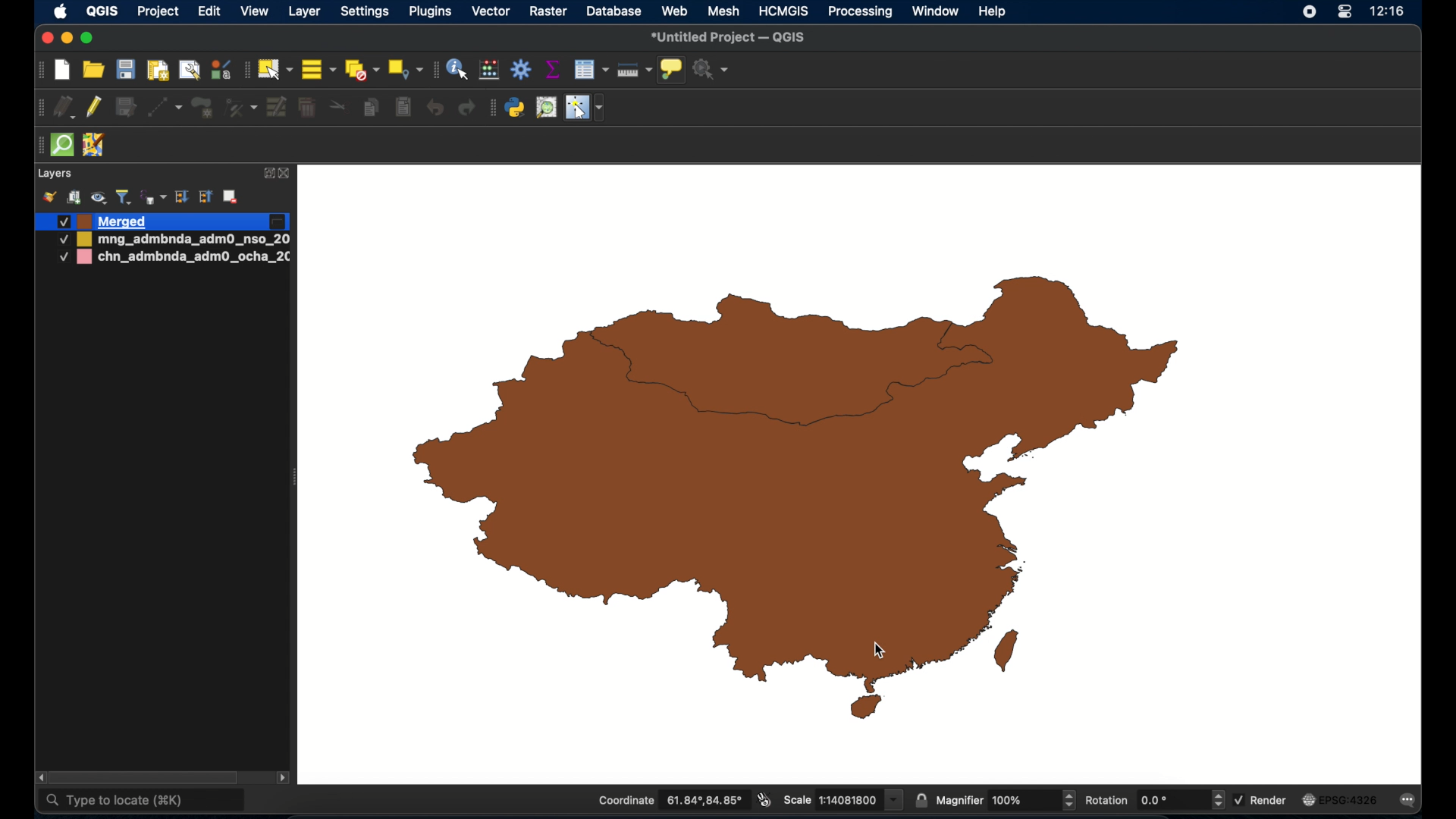 Image resolution: width=1456 pixels, height=819 pixels. What do you see at coordinates (156, 70) in the screenshot?
I see `show print layout` at bounding box center [156, 70].